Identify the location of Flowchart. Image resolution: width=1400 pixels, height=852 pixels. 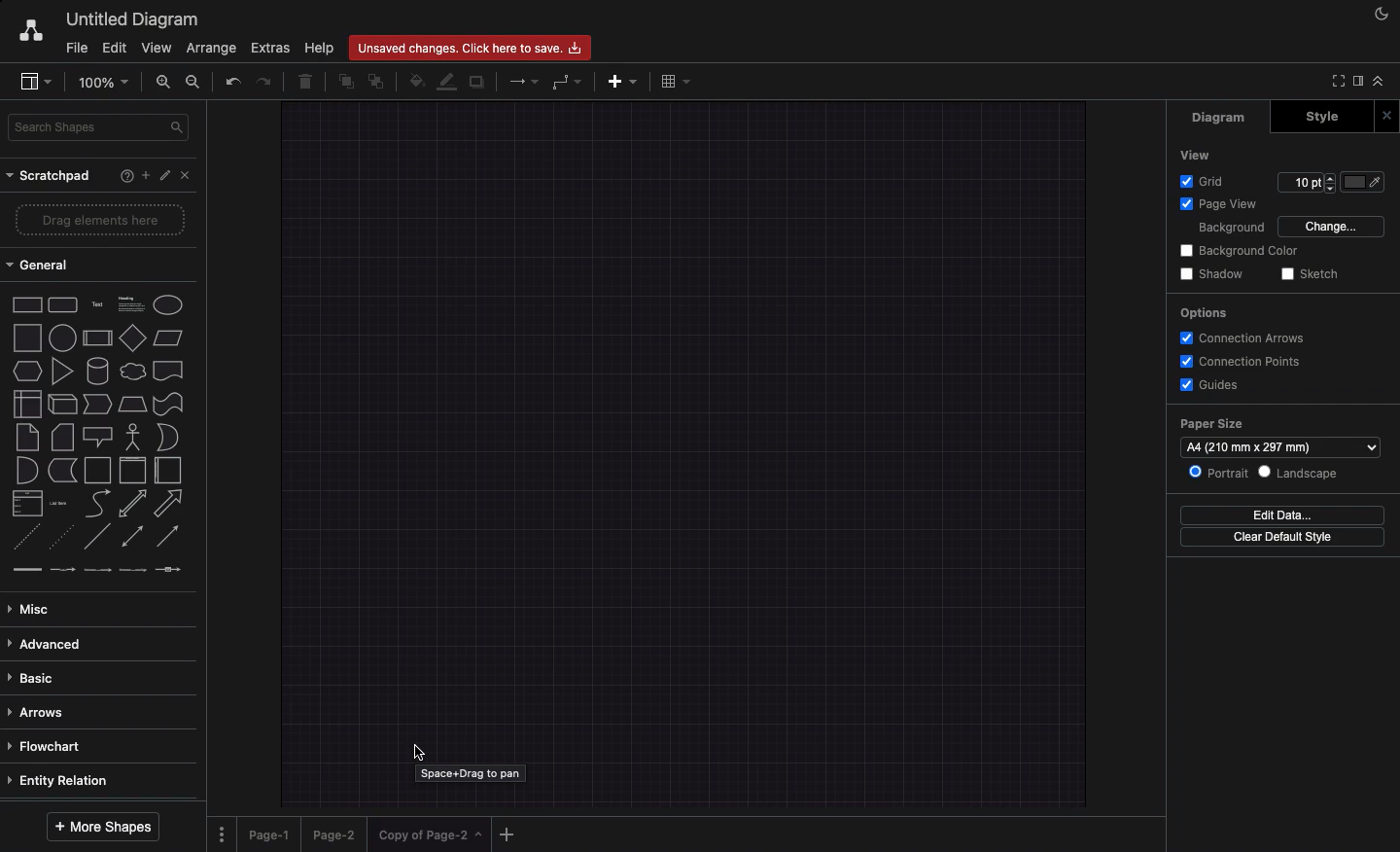
(50, 748).